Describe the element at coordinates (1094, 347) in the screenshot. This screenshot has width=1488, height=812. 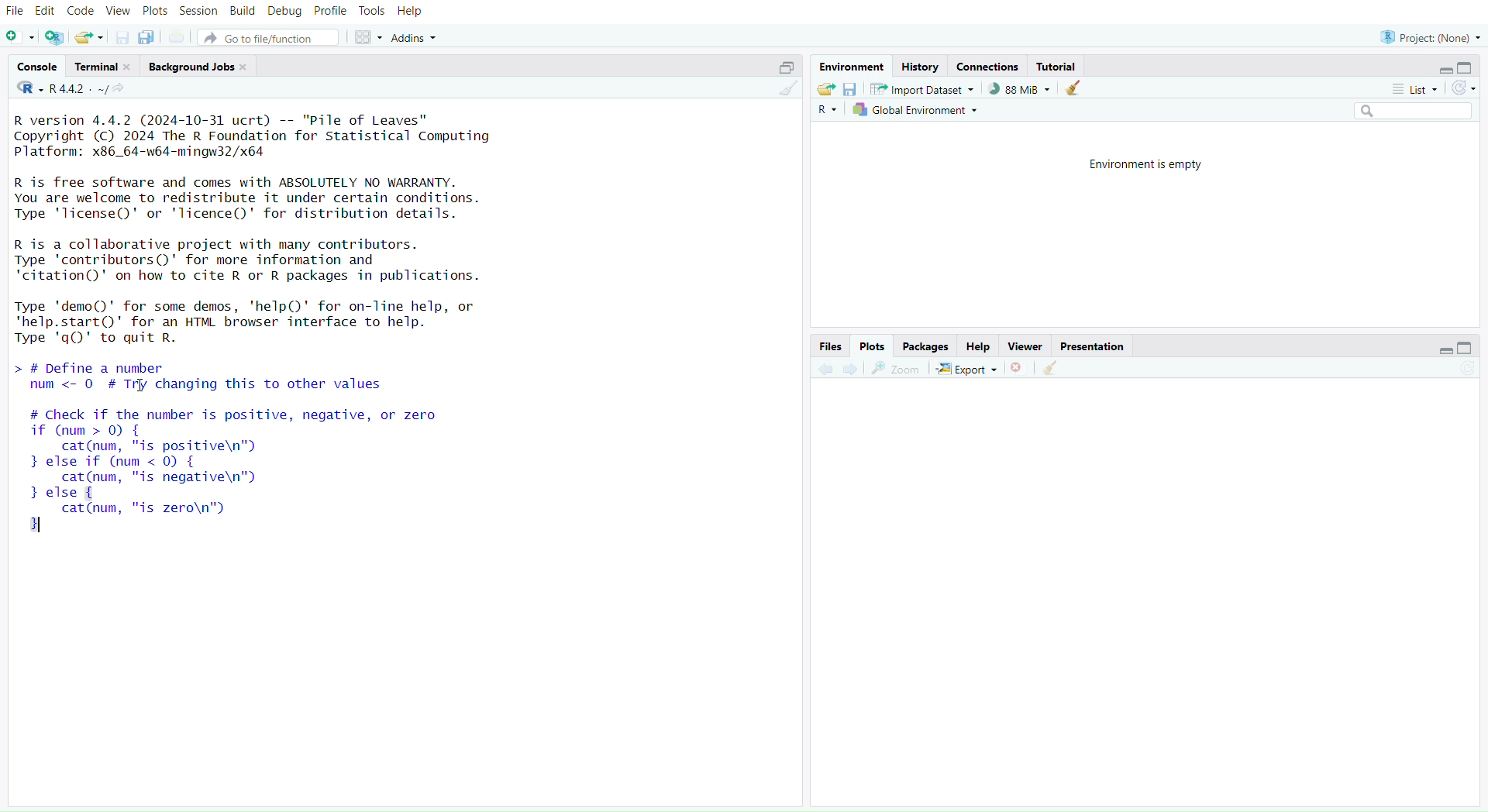
I see `presentation` at that location.